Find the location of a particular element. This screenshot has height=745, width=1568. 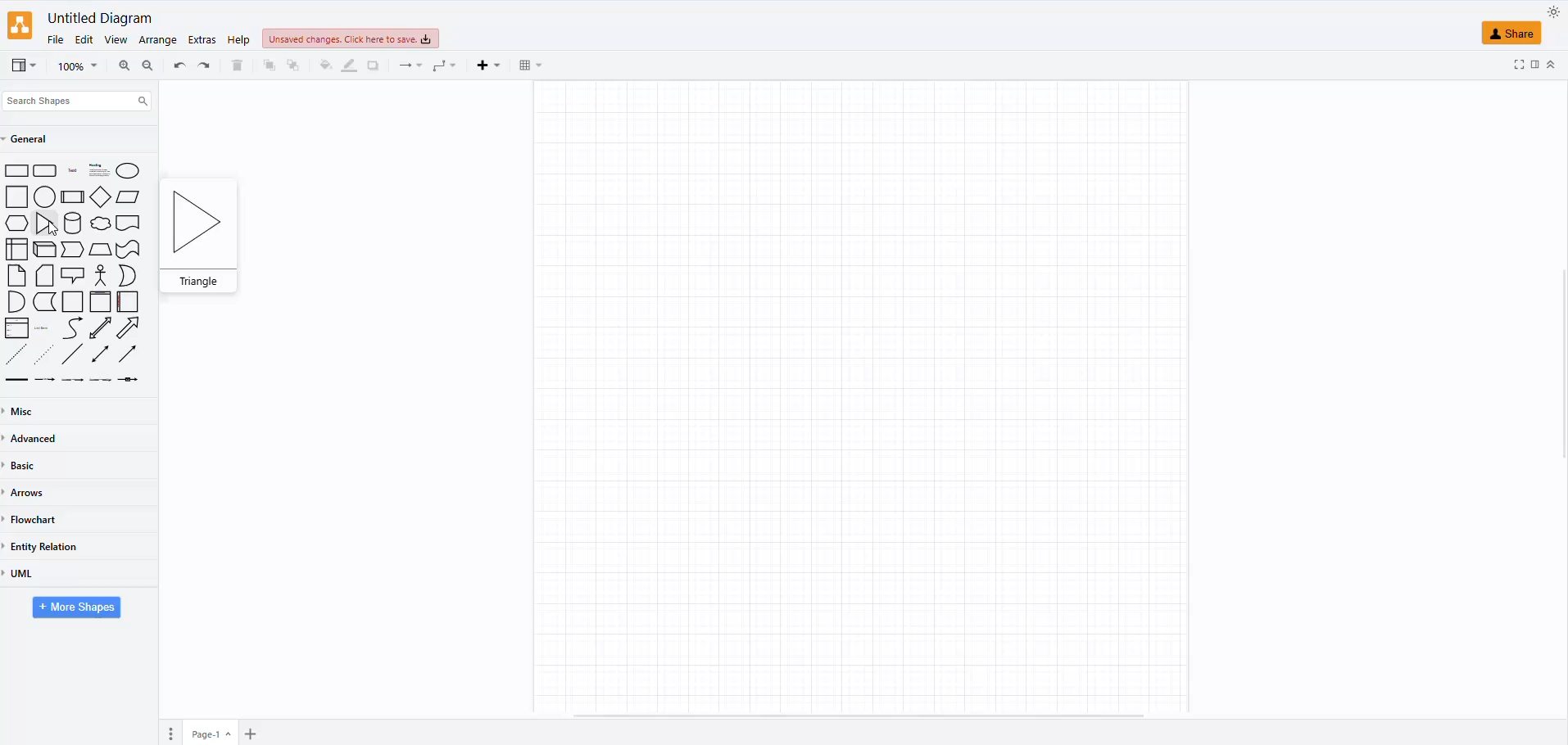

Thick Line is located at coordinates (16, 380).